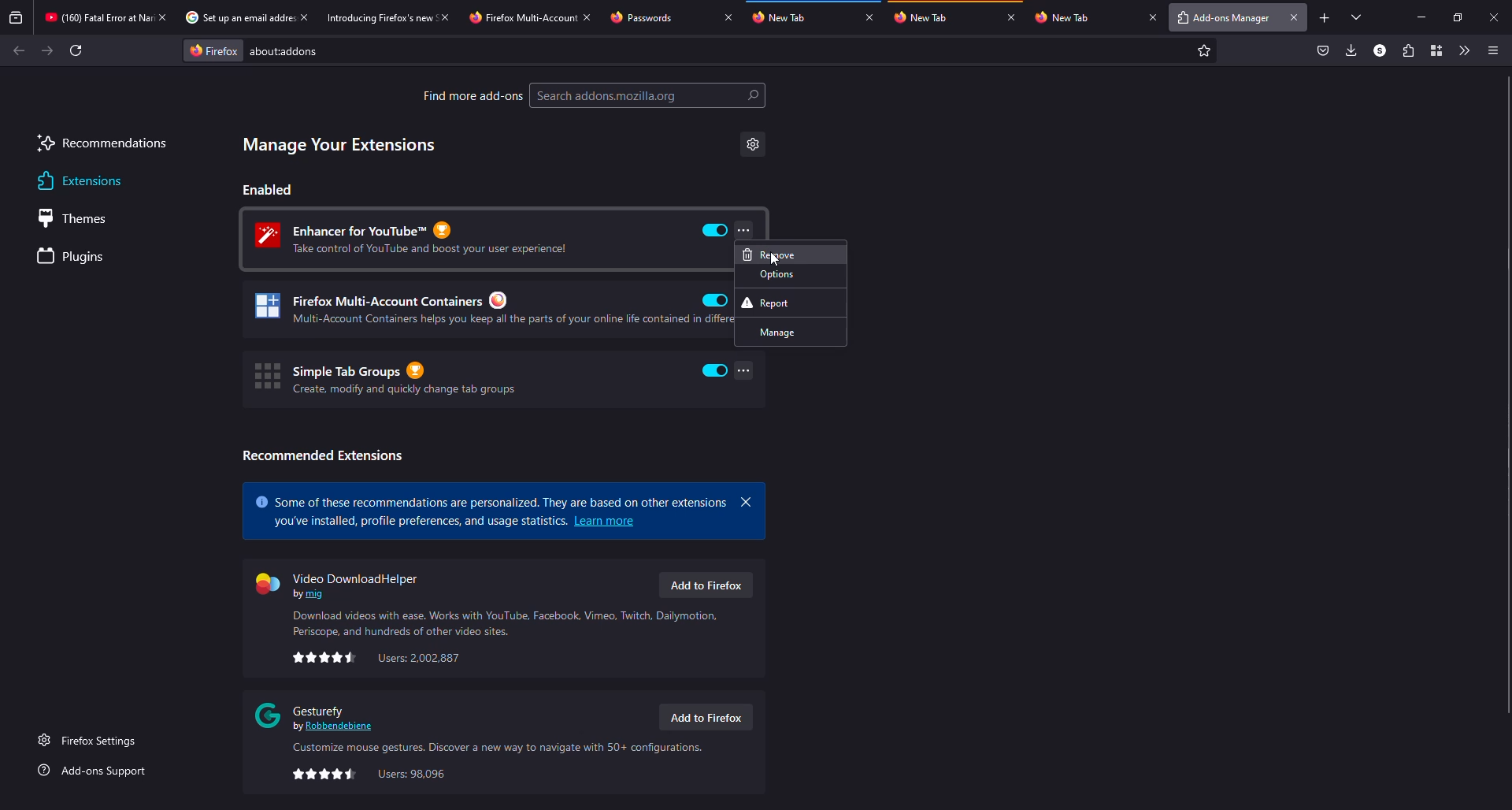  What do you see at coordinates (1462, 50) in the screenshot?
I see `more tools` at bounding box center [1462, 50].